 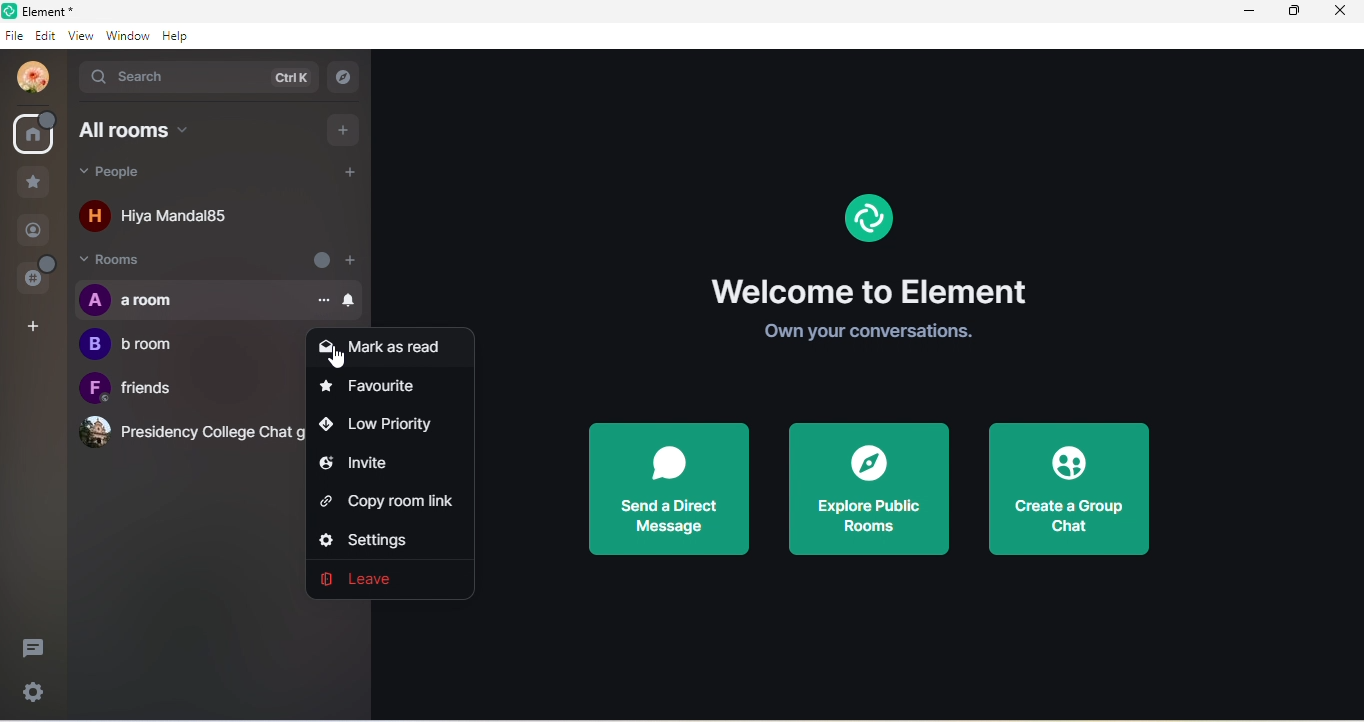 What do you see at coordinates (383, 425) in the screenshot?
I see `low priority` at bounding box center [383, 425].